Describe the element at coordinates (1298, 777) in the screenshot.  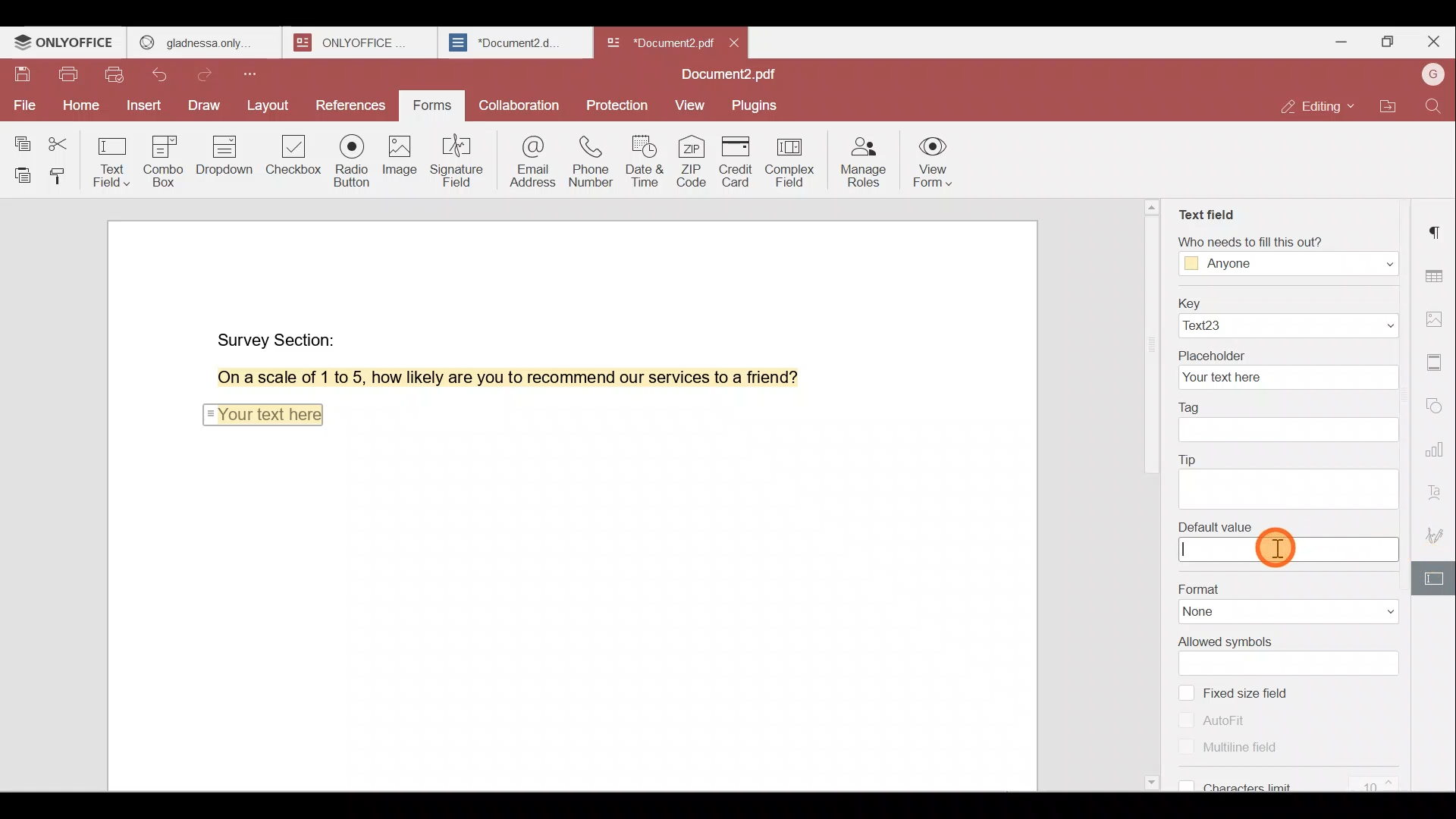
I see `Character limit` at that location.